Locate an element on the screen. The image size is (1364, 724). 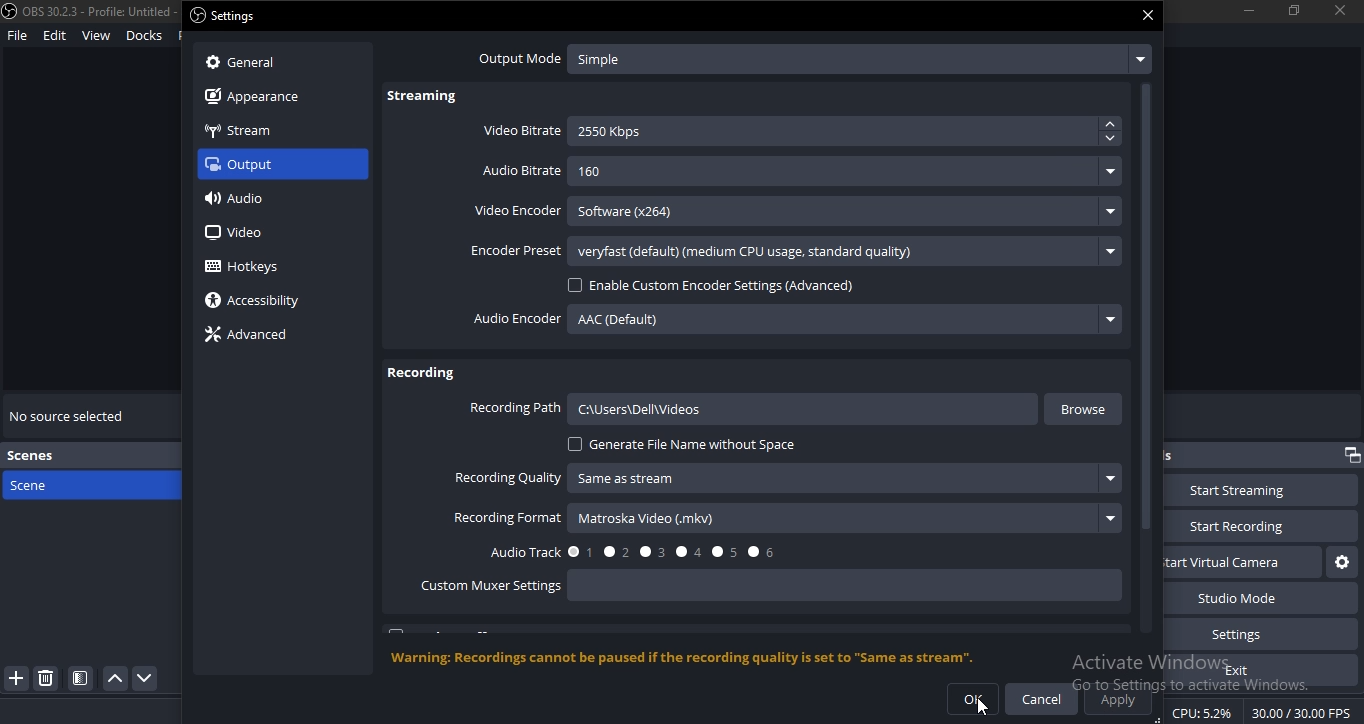
video bitrate  is located at coordinates (523, 129).